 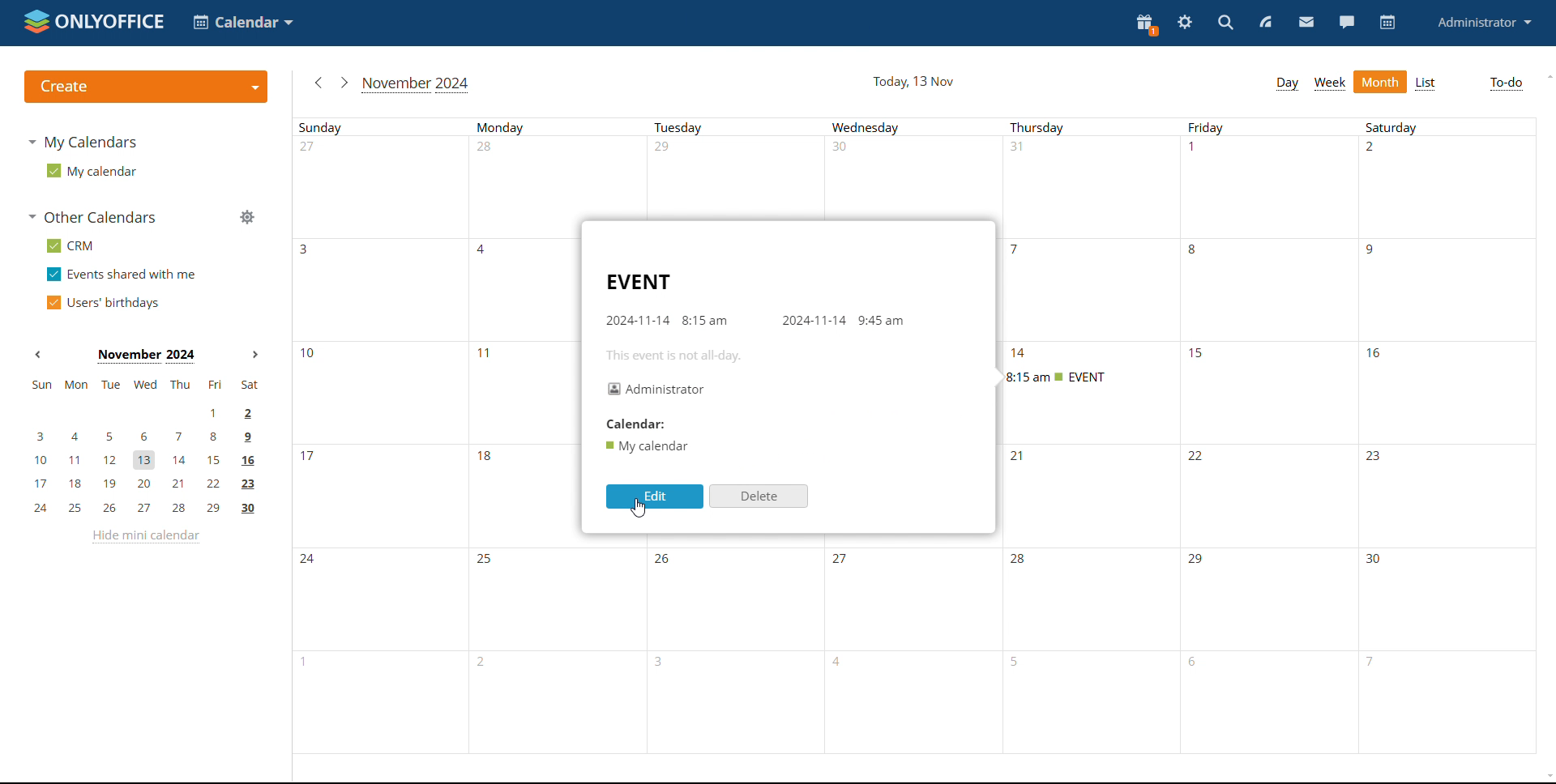 What do you see at coordinates (434, 292) in the screenshot?
I see `unallocated time slots` at bounding box center [434, 292].